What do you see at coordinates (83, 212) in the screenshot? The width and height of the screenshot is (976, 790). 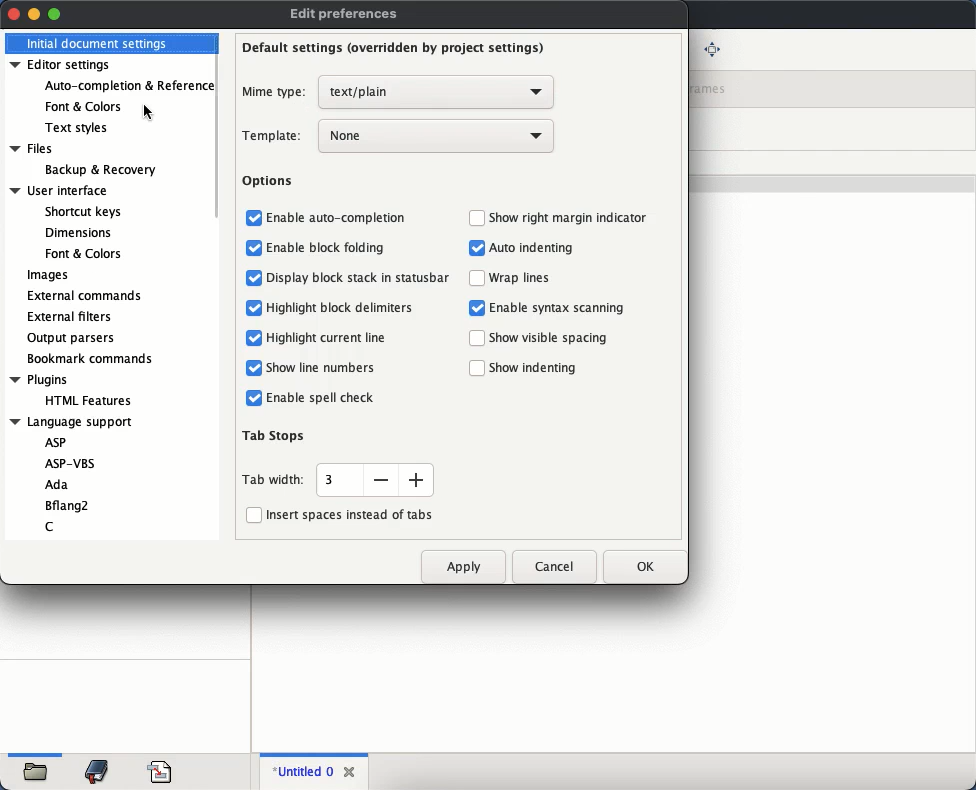 I see `shortcut keys` at bounding box center [83, 212].